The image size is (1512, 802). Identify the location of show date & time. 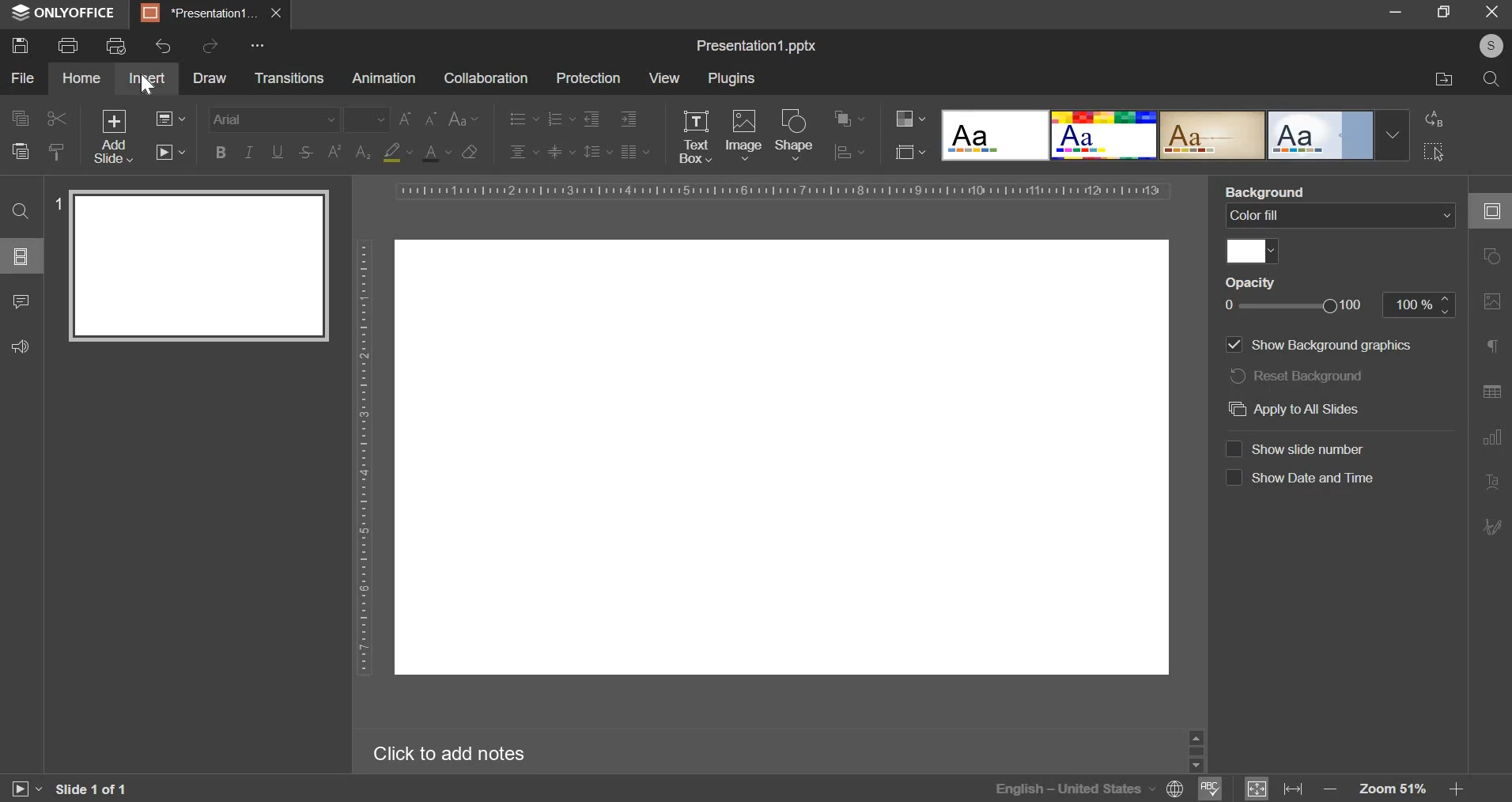
(1312, 478).